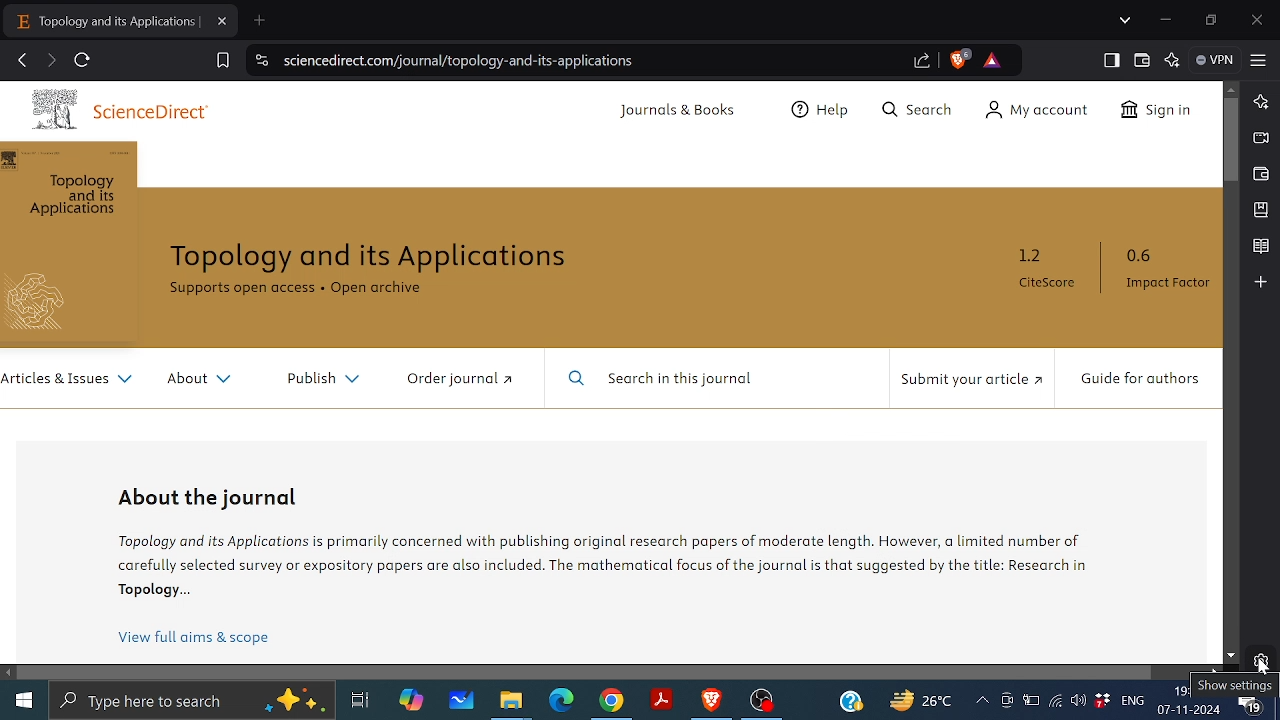 This screenshot has width=1280, height=720. What do you see at coordinates (1166, 17) in the screenshot?
I see `Minimize` at bounding box center [1166, 17].